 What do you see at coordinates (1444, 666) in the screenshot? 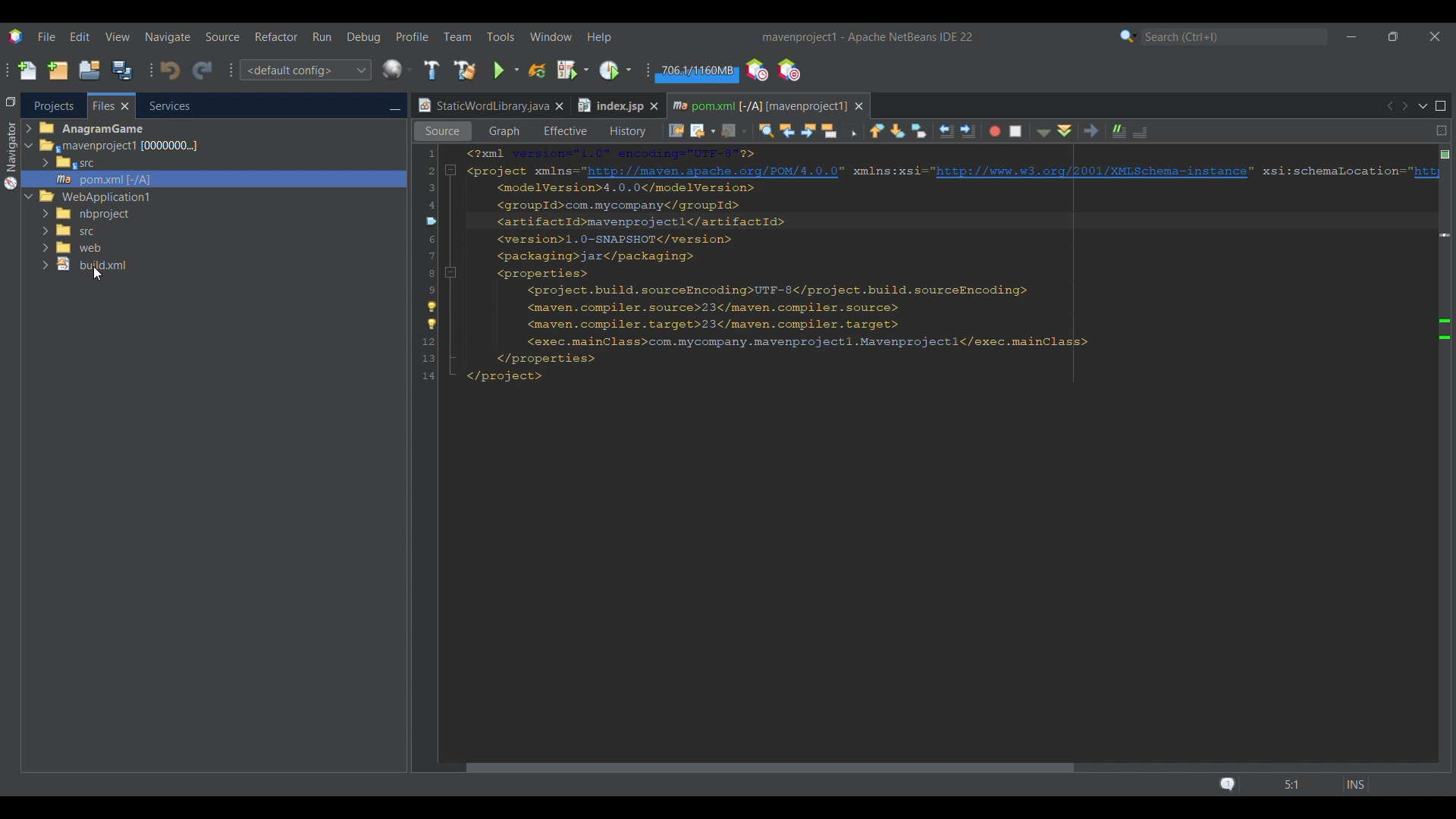
I see `Markers` at bounding box center [1444, 666].